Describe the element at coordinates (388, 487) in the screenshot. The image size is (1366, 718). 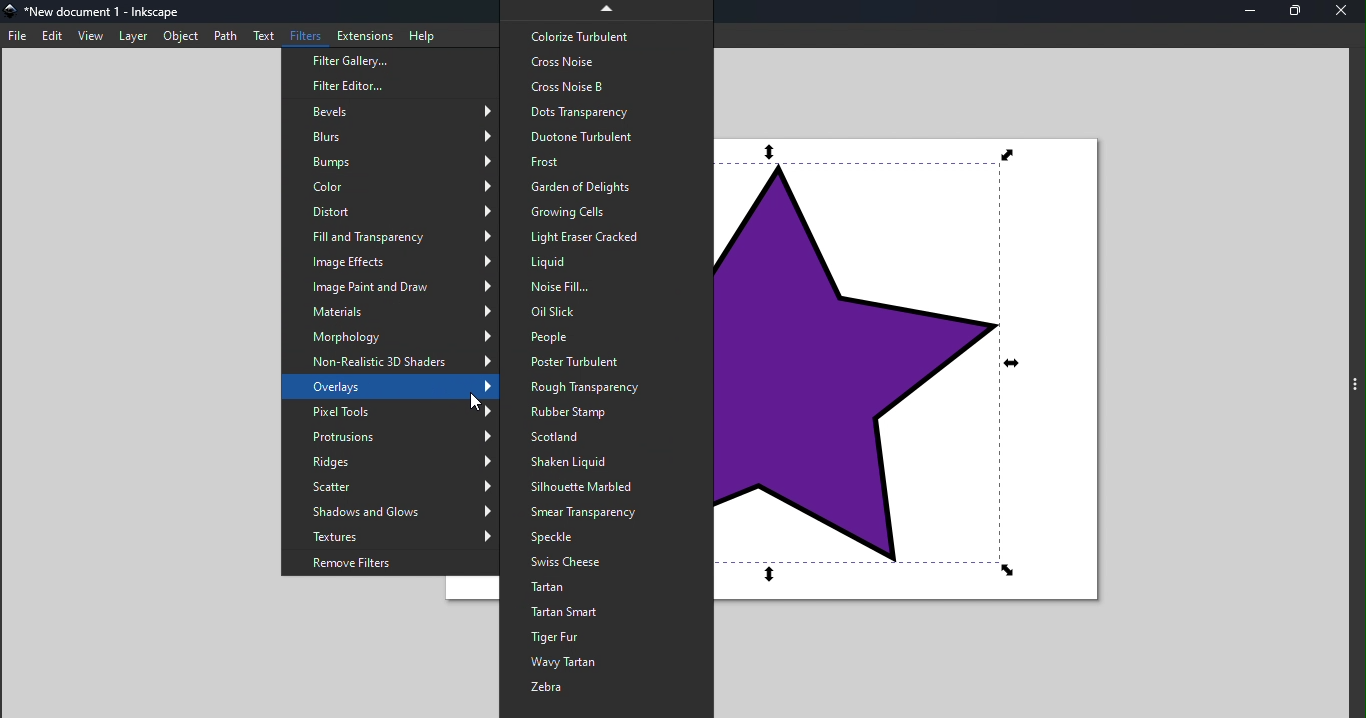
I see `Scatter` at that location.